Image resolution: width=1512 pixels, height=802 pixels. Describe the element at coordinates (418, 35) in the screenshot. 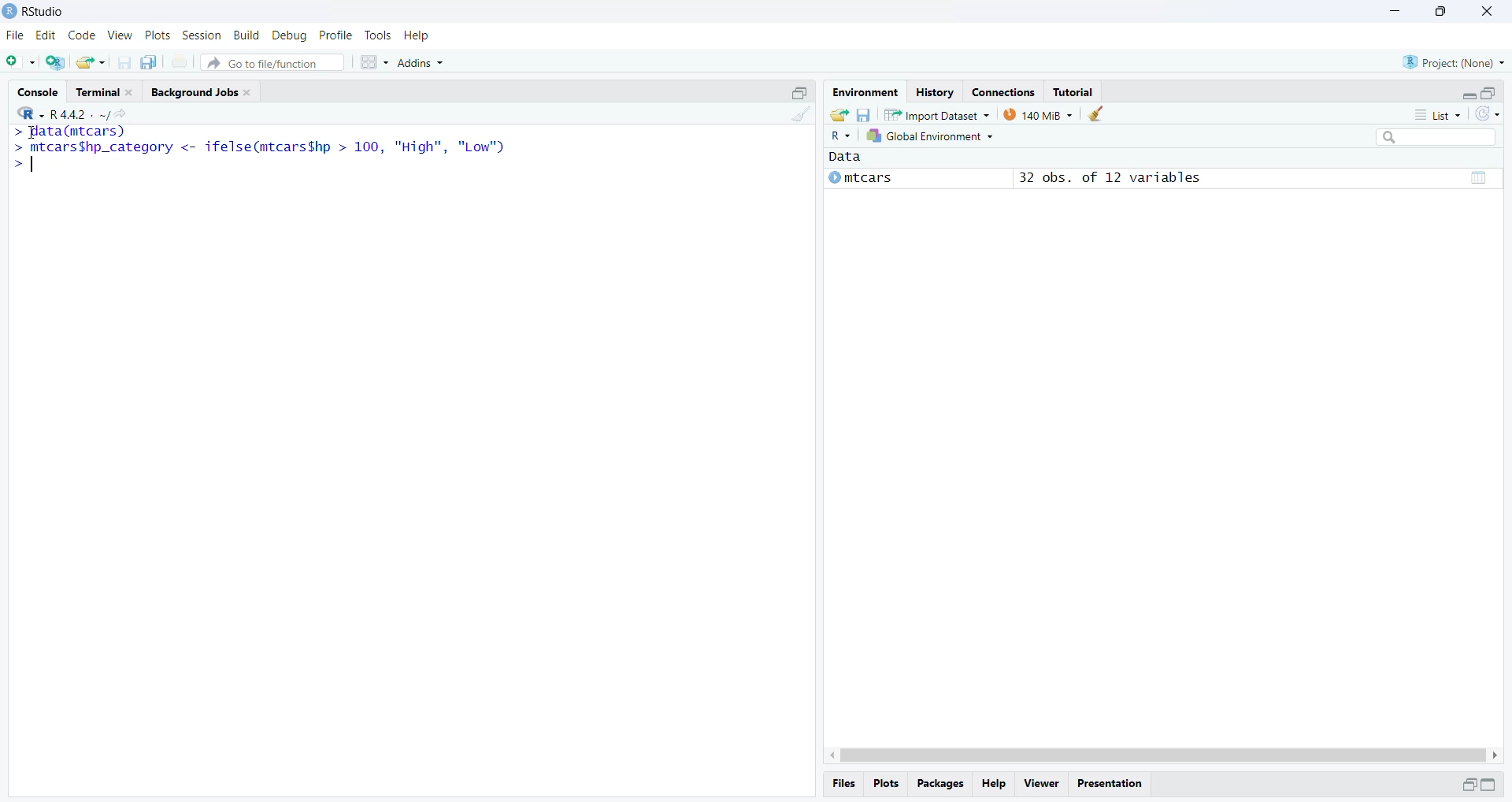

I see `Help` at that location.